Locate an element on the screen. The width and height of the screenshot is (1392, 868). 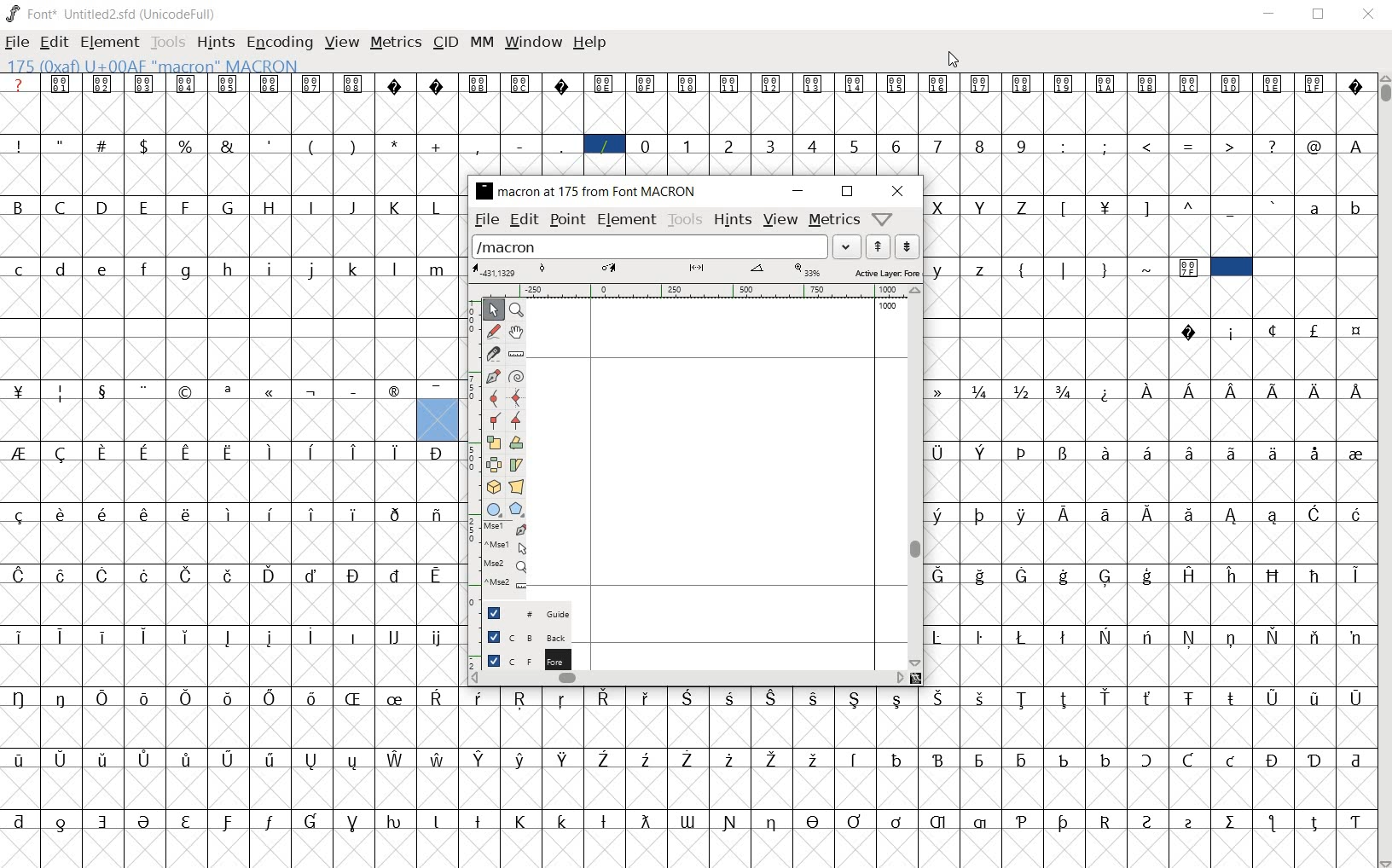
Symbol is located at coordinates (647, 760).